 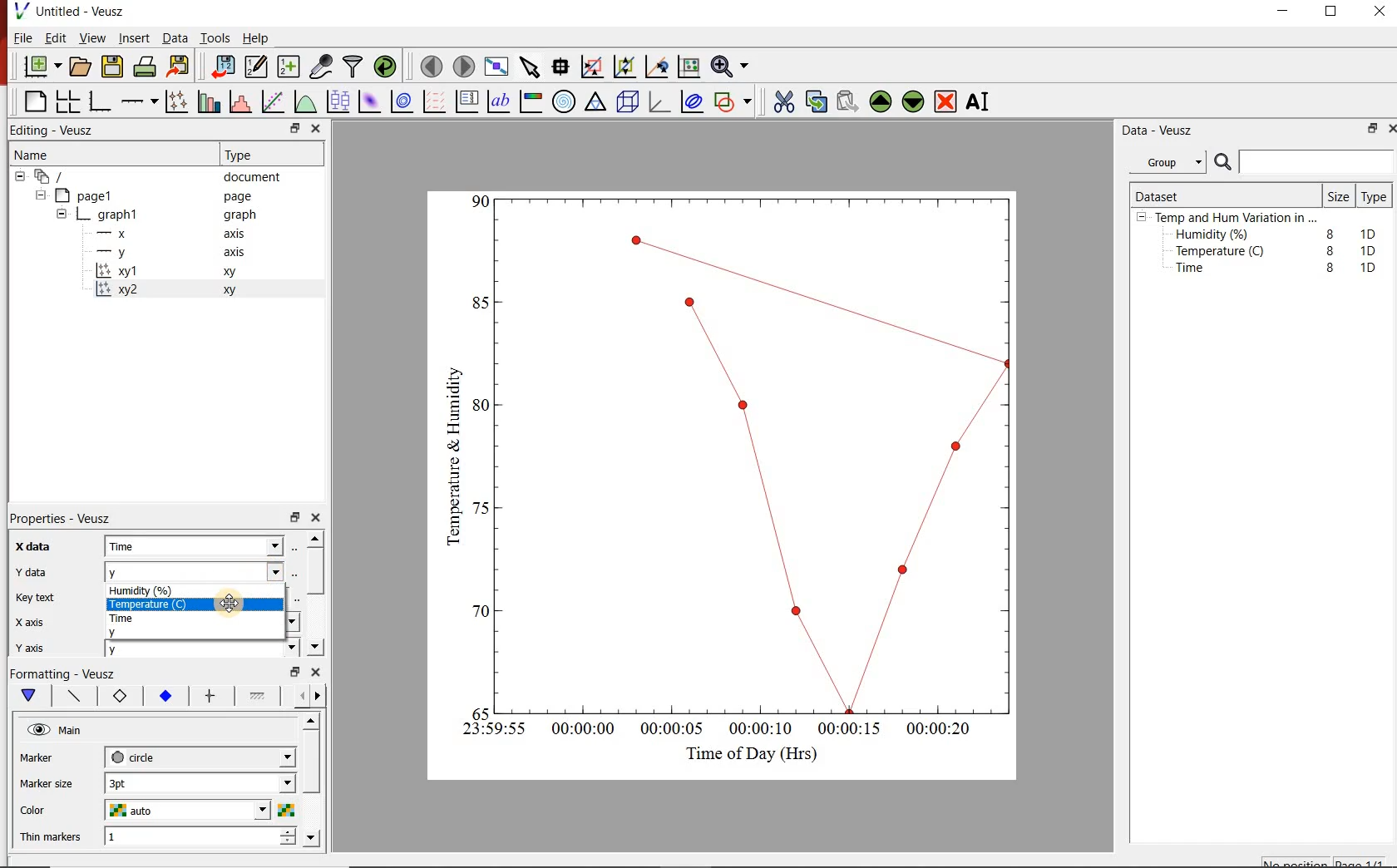 I want to click on Data - Veusz, so click(x=1161, y=131).